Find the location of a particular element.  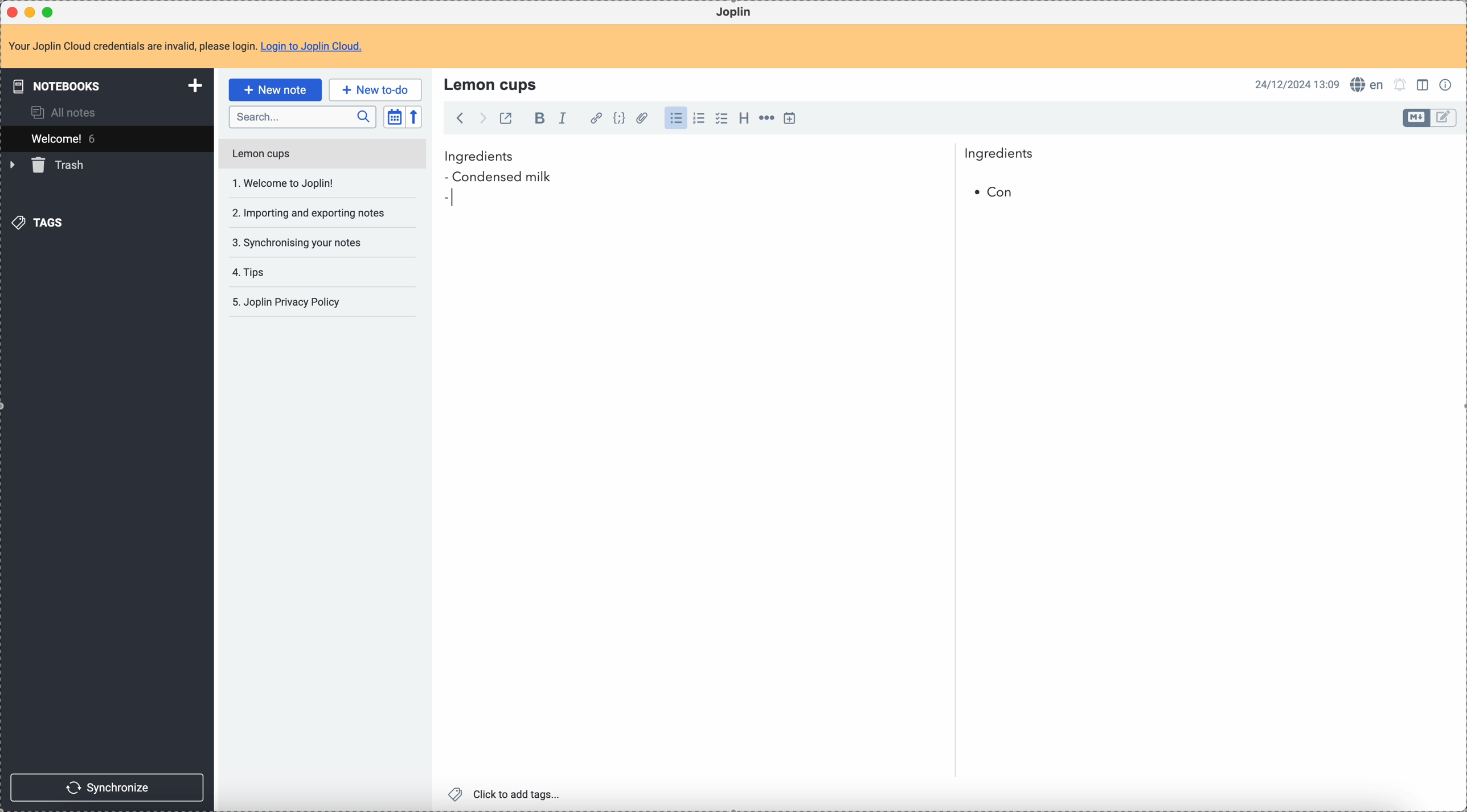

note is located at coordinates (192, 47).